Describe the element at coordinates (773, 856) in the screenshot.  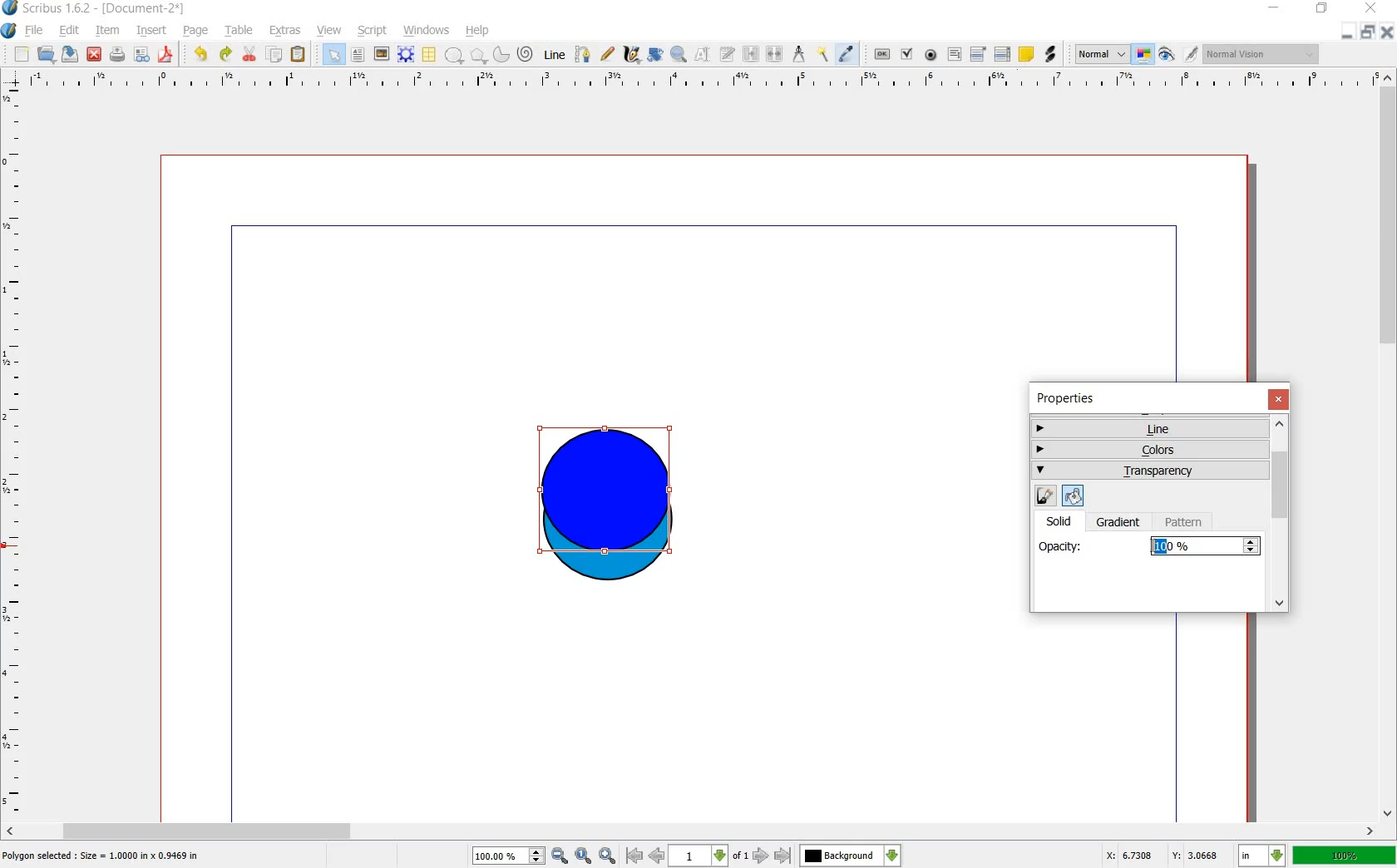
I see `go to next or last page` at that location.